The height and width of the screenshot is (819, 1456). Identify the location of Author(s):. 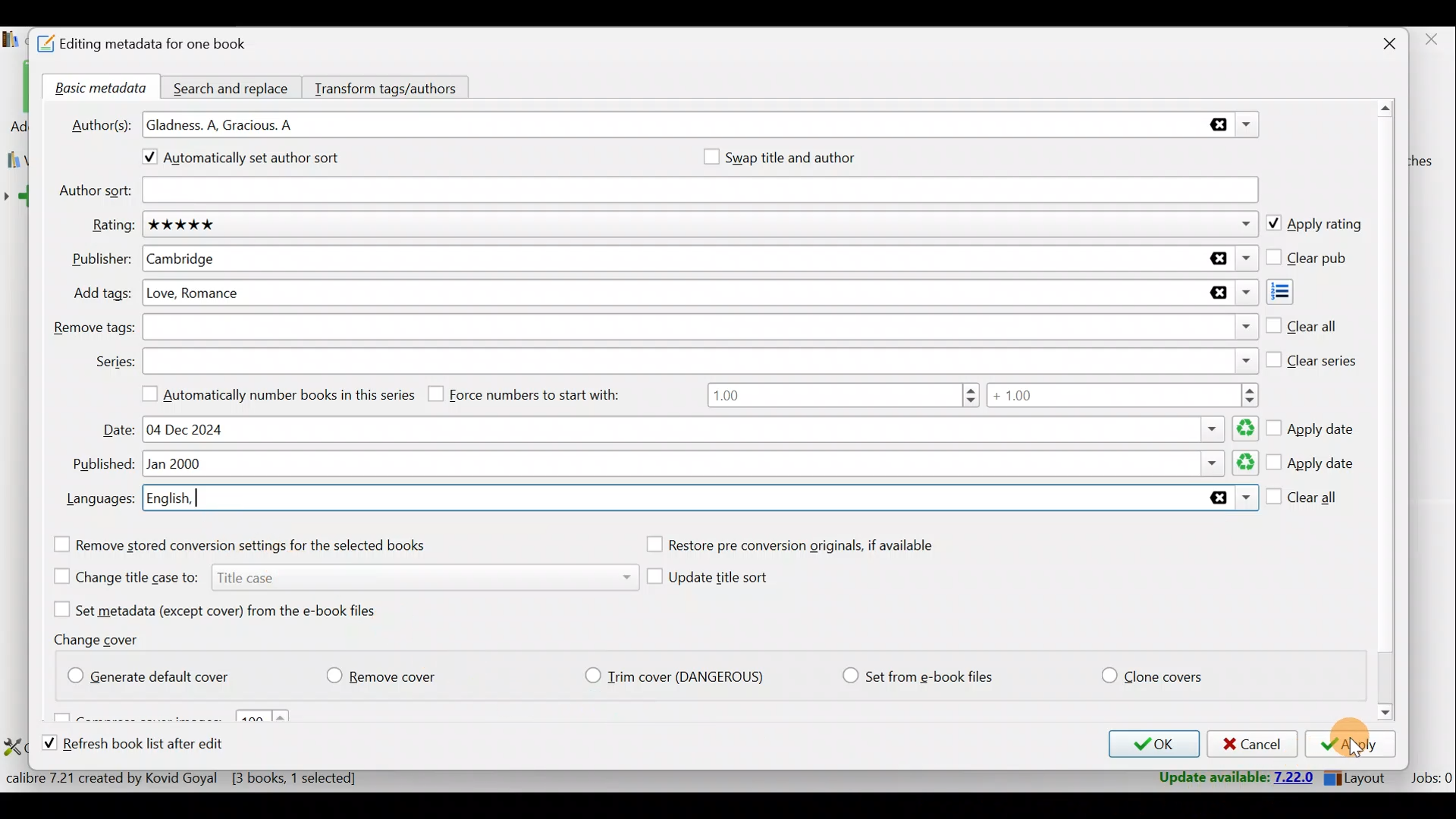
(101, 123).